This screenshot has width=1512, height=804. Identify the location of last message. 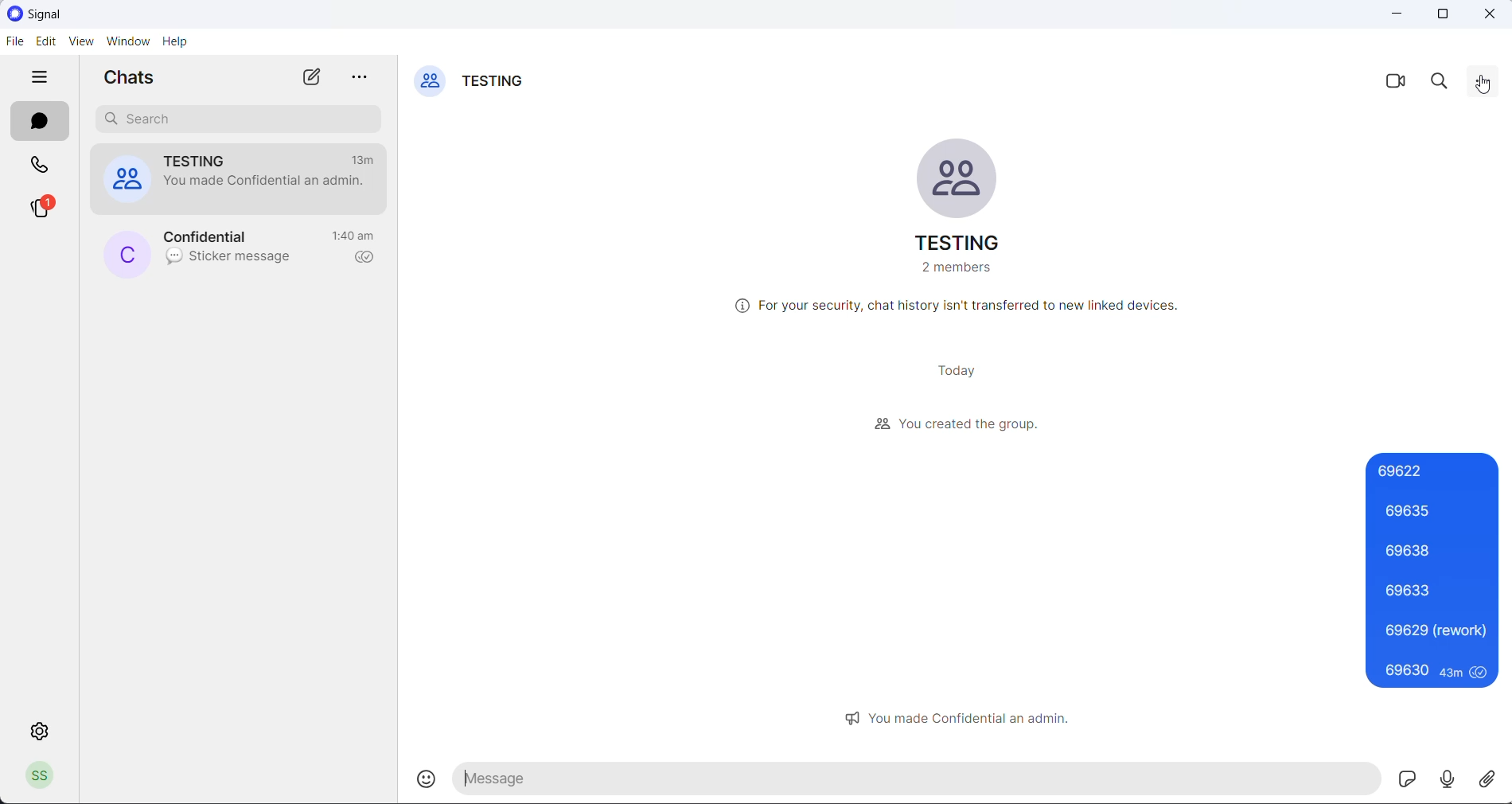
(231, 260).